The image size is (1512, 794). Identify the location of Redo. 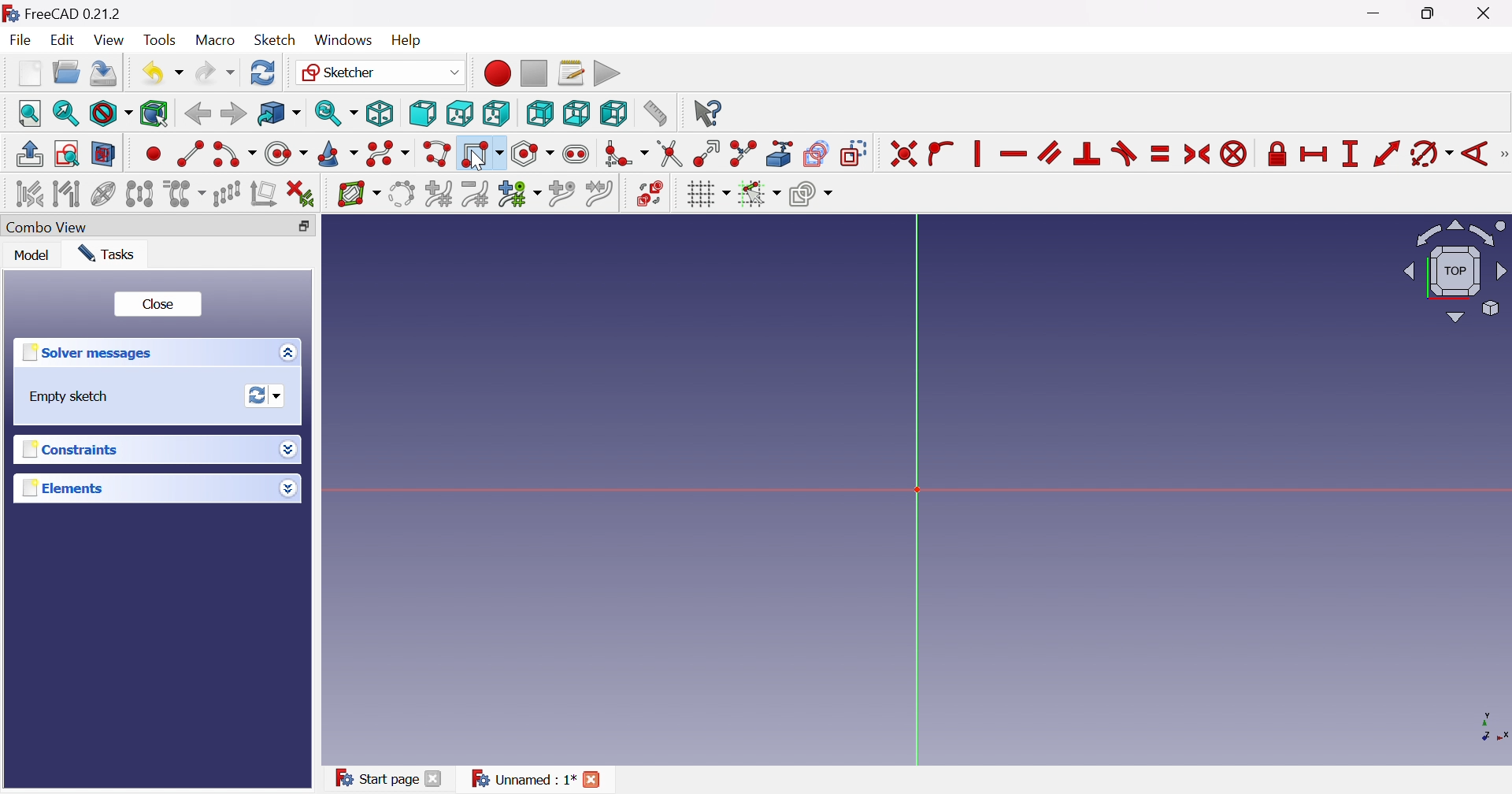
(216, 71).